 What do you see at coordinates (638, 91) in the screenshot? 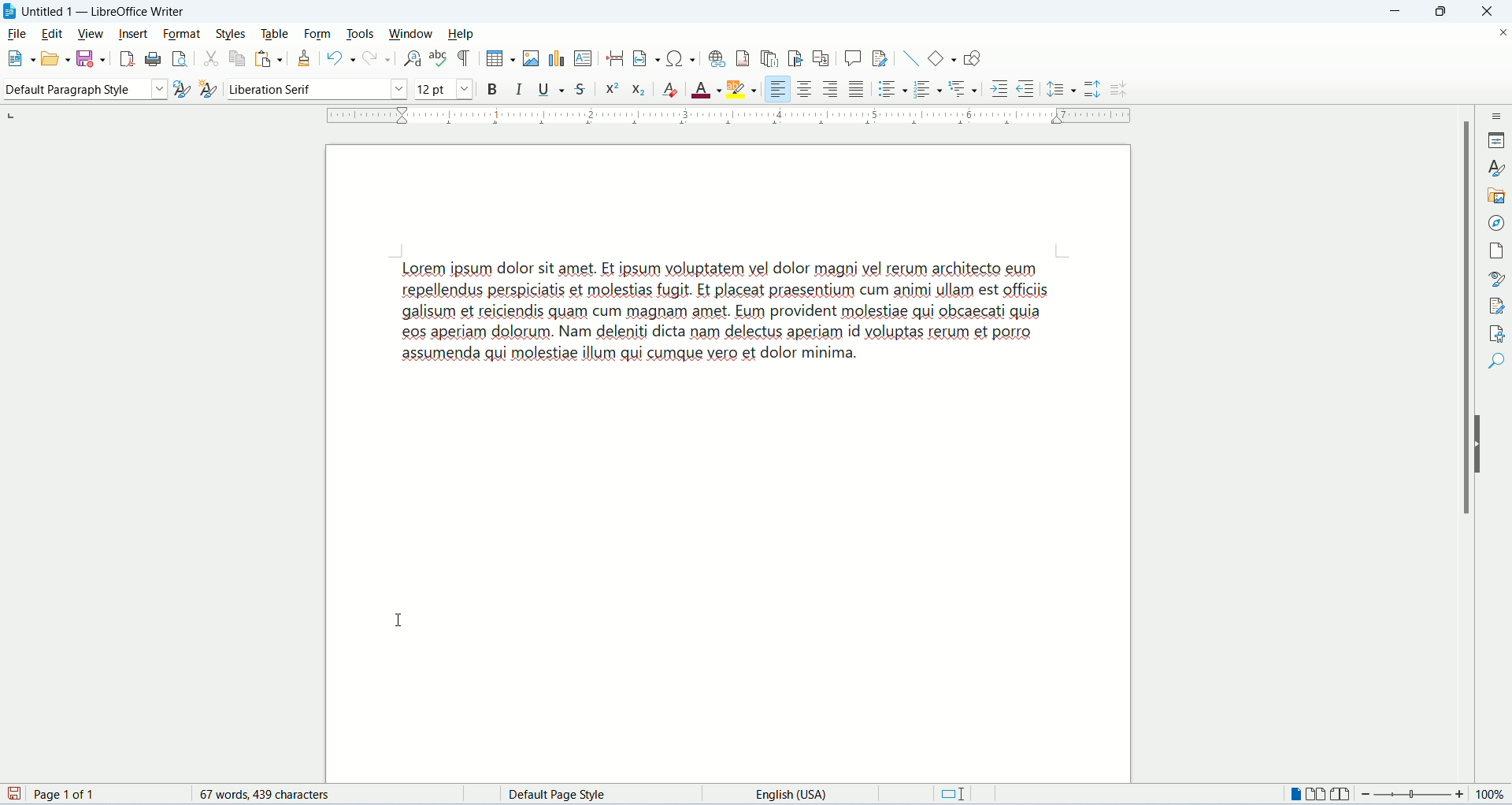
I see `subscript` at bounding box center [638, 91].